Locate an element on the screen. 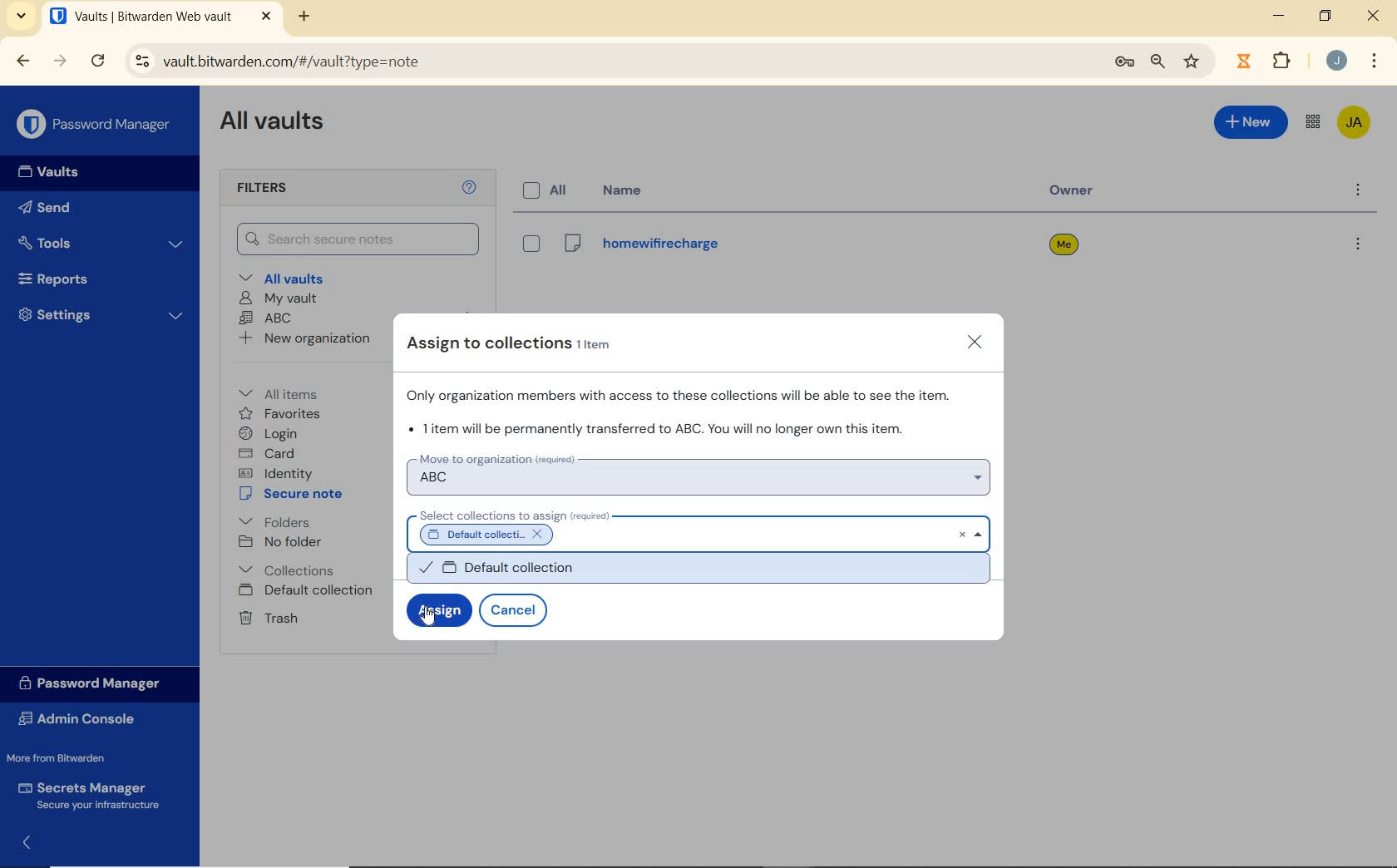 This screenshot has height=868, width=1397. move to organization is located at coordinates (700, 472).